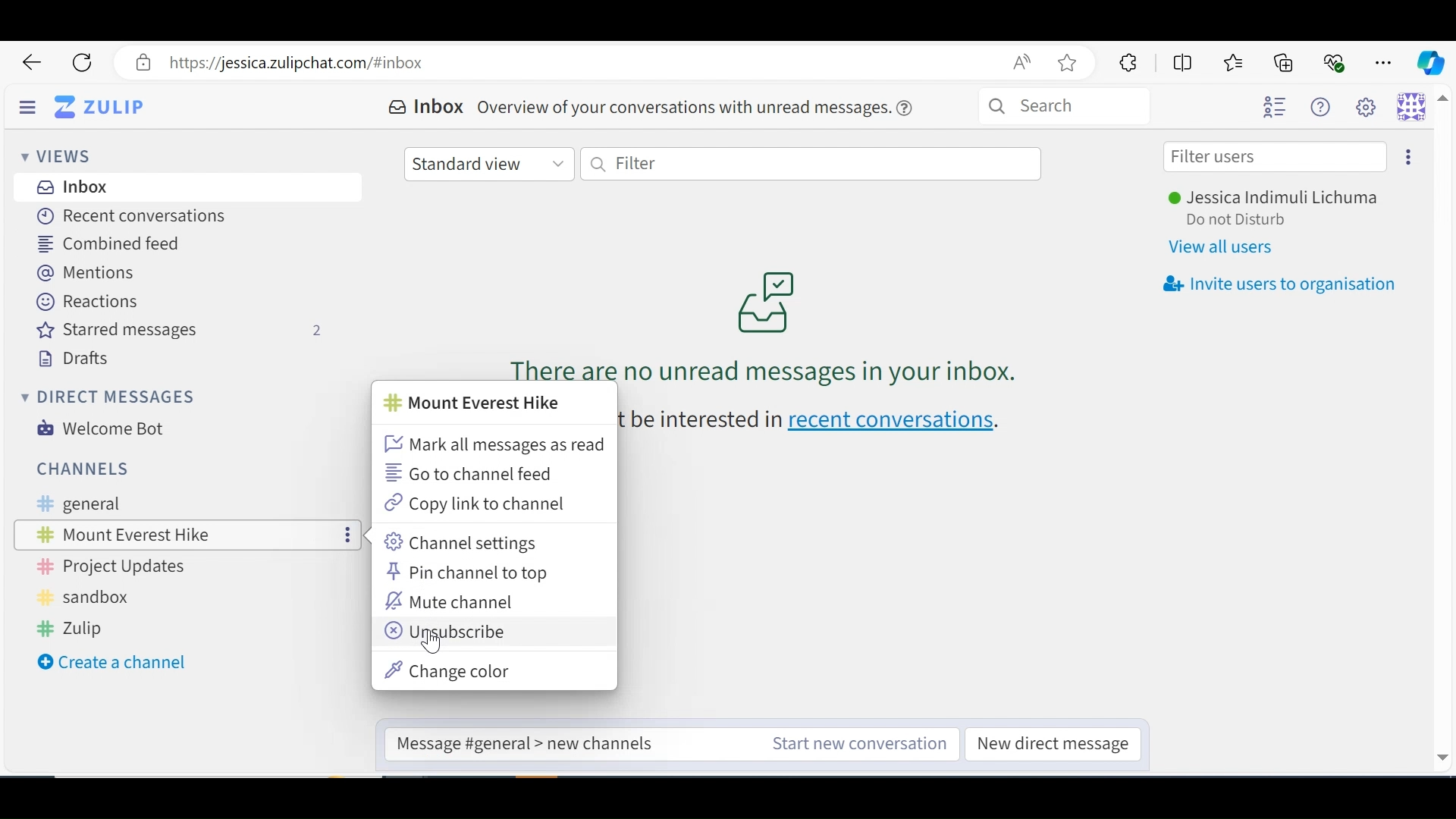 This screenshot has width=1456, height=819. What do you see at coordinates (436, 643) in the screenshot?
I see `Cursor` at bounding box center [436, 643].